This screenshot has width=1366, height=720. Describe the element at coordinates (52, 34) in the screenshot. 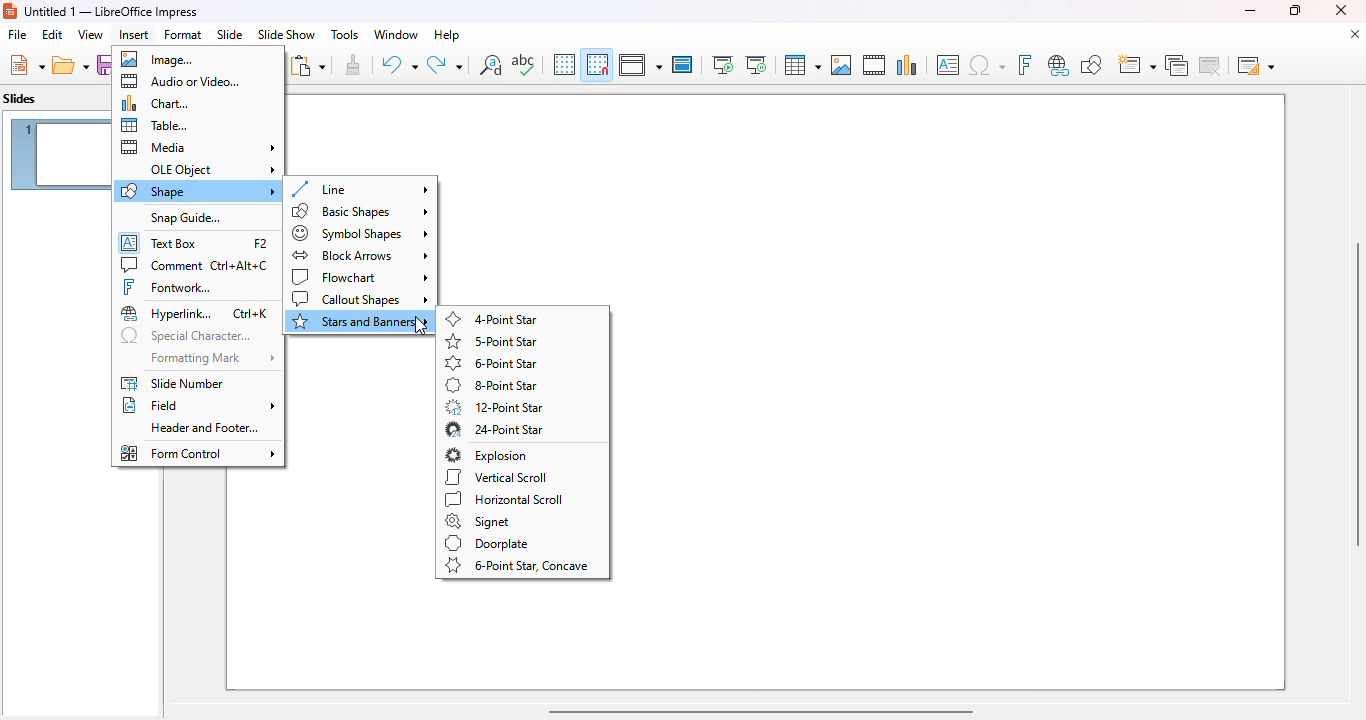

I see `edit` at that location.